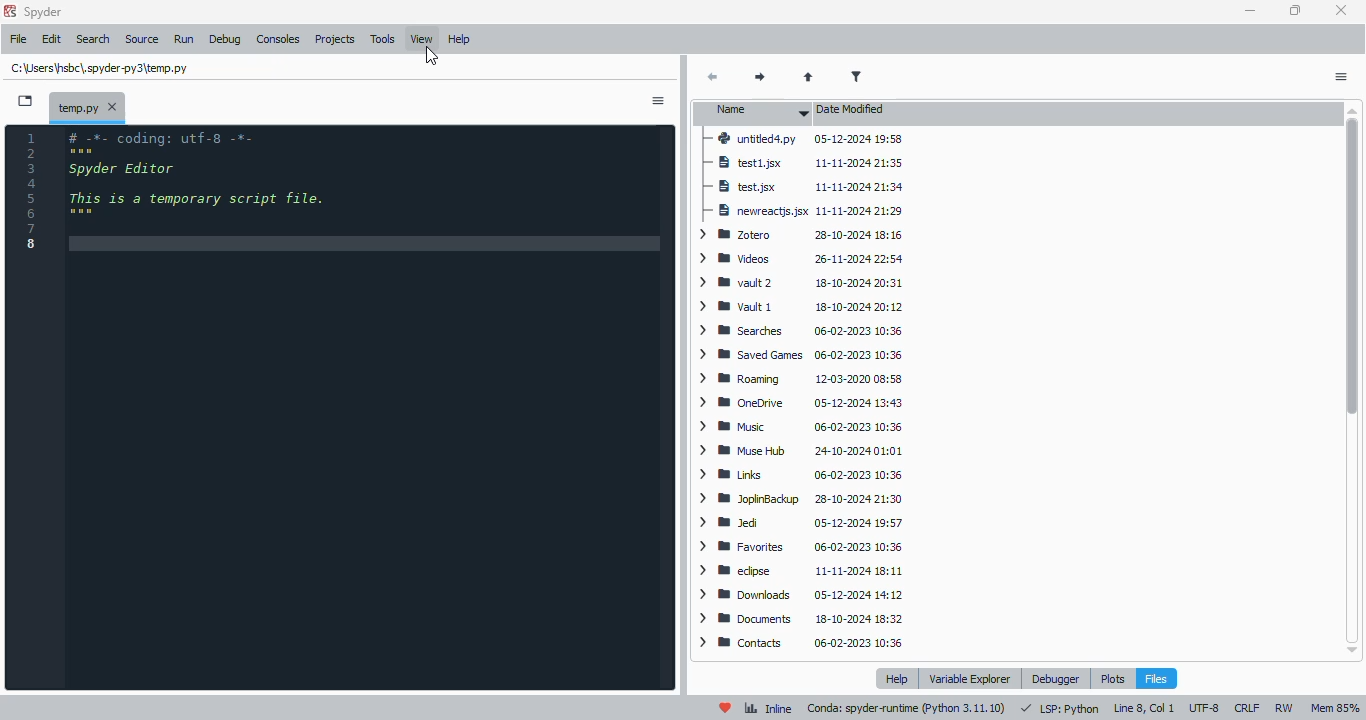 The width and height of the screenshot is (1366, 720). Describe the element at coordinates (95, 39) in the screenshot. I see `search` at that location.